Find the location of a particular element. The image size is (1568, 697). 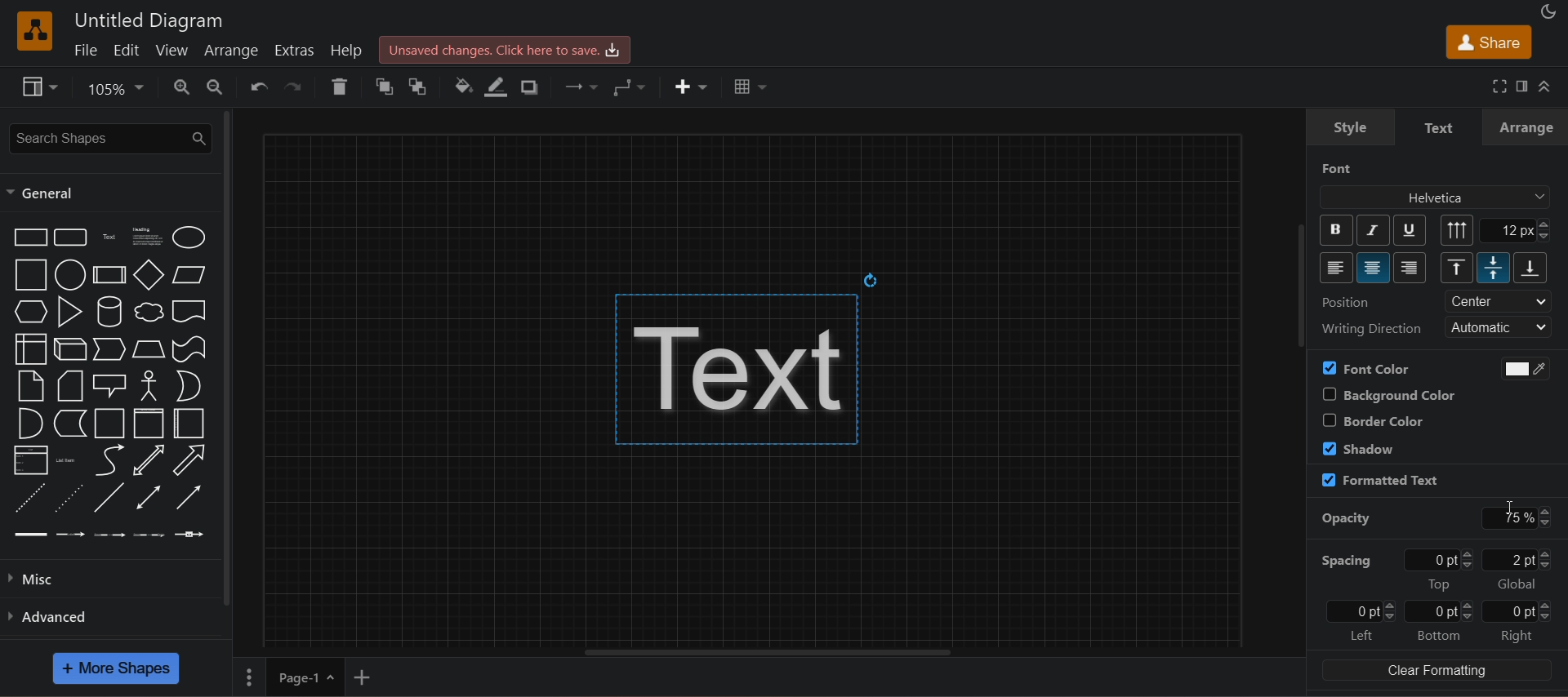

to front is located at coordinates (380, 87).